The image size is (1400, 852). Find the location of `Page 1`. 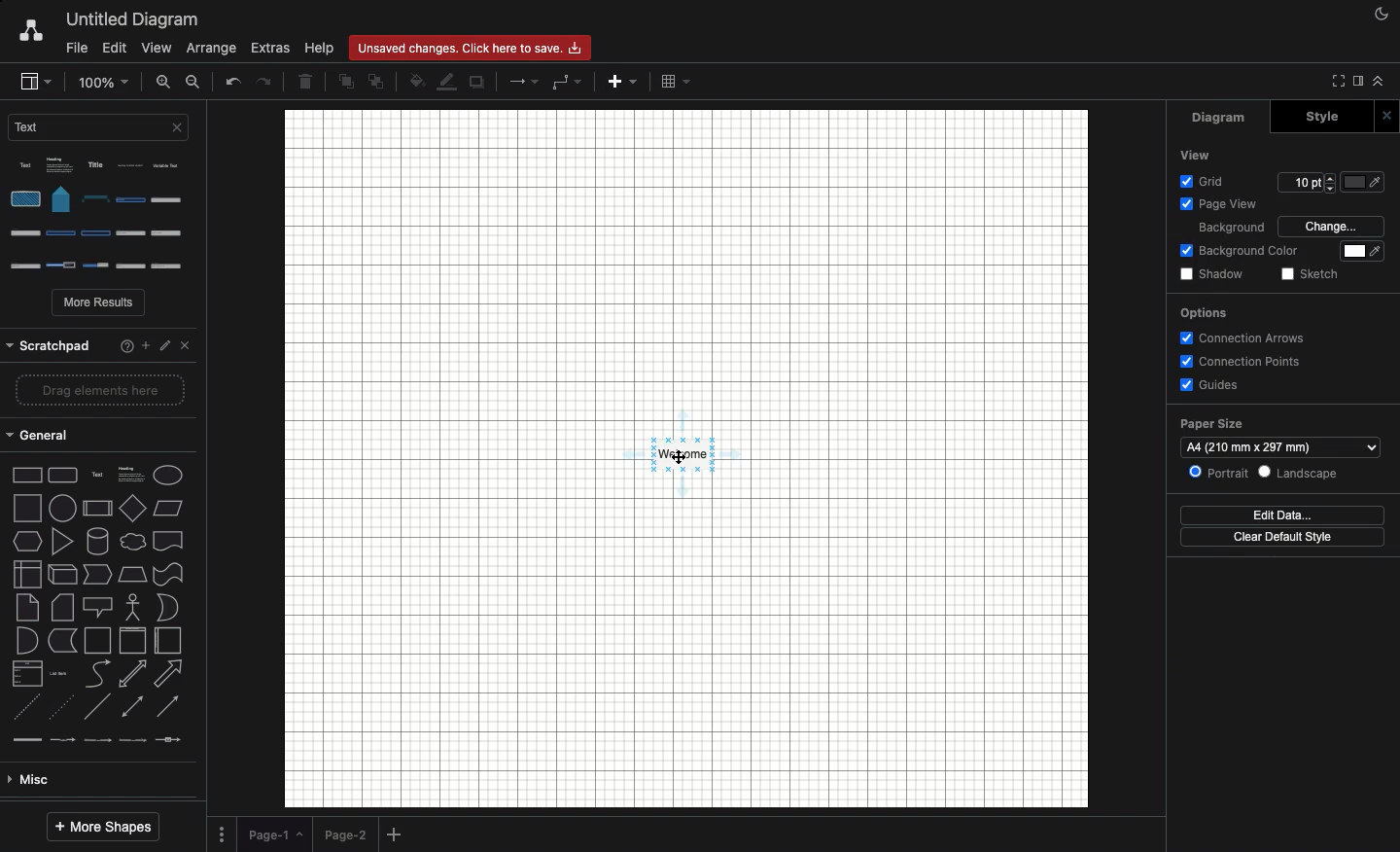

Page 1 is located at coordinates (274, 832).